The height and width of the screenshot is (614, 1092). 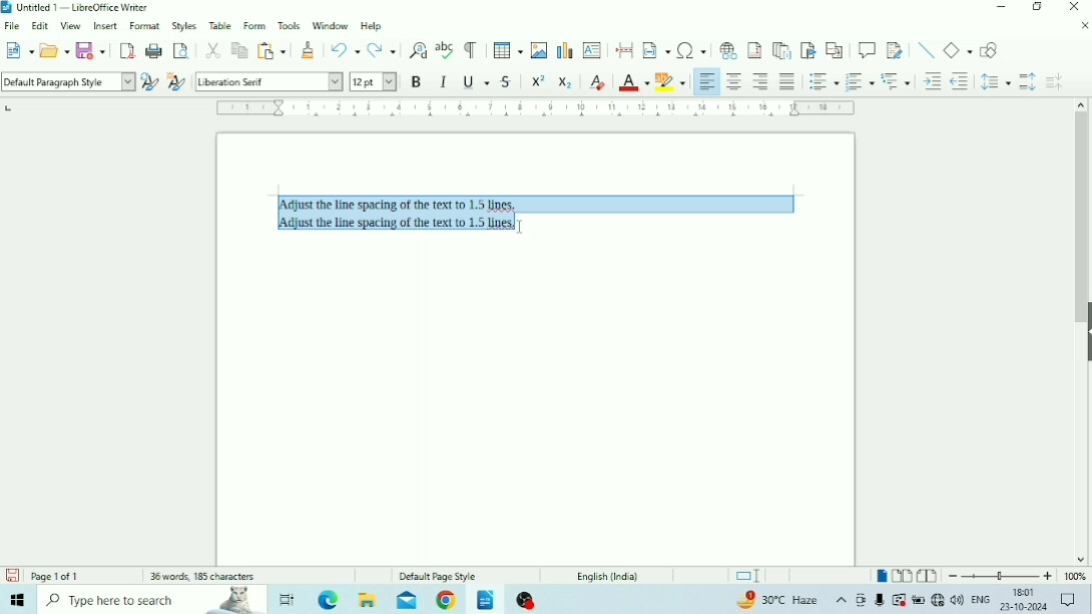 What do you see at coordinates (895, 48) in the screenshot?
I see `Show Track Changes Functions` at bounding box center [895, 48].